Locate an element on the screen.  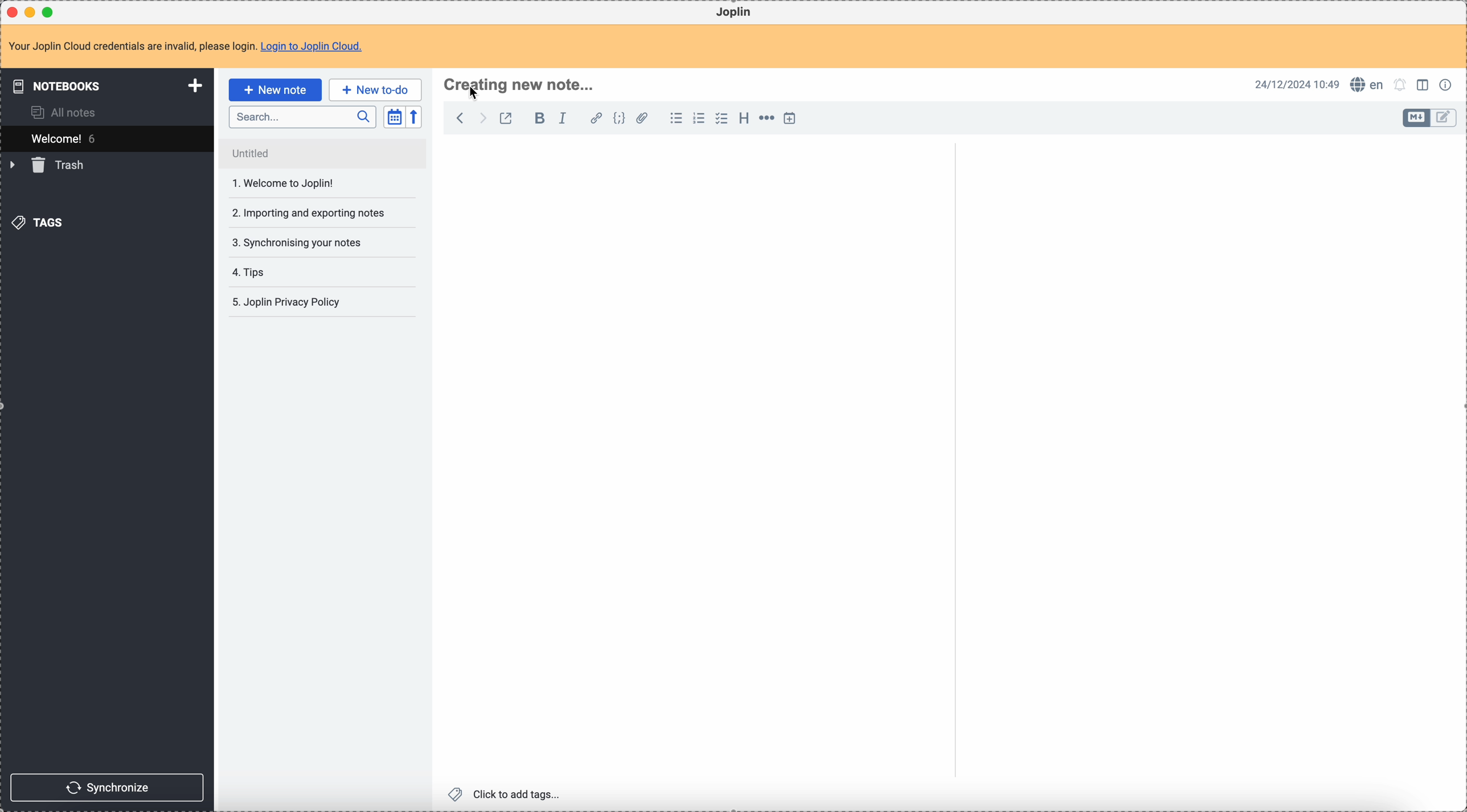
numbered list is located at coordinates (700, 118).